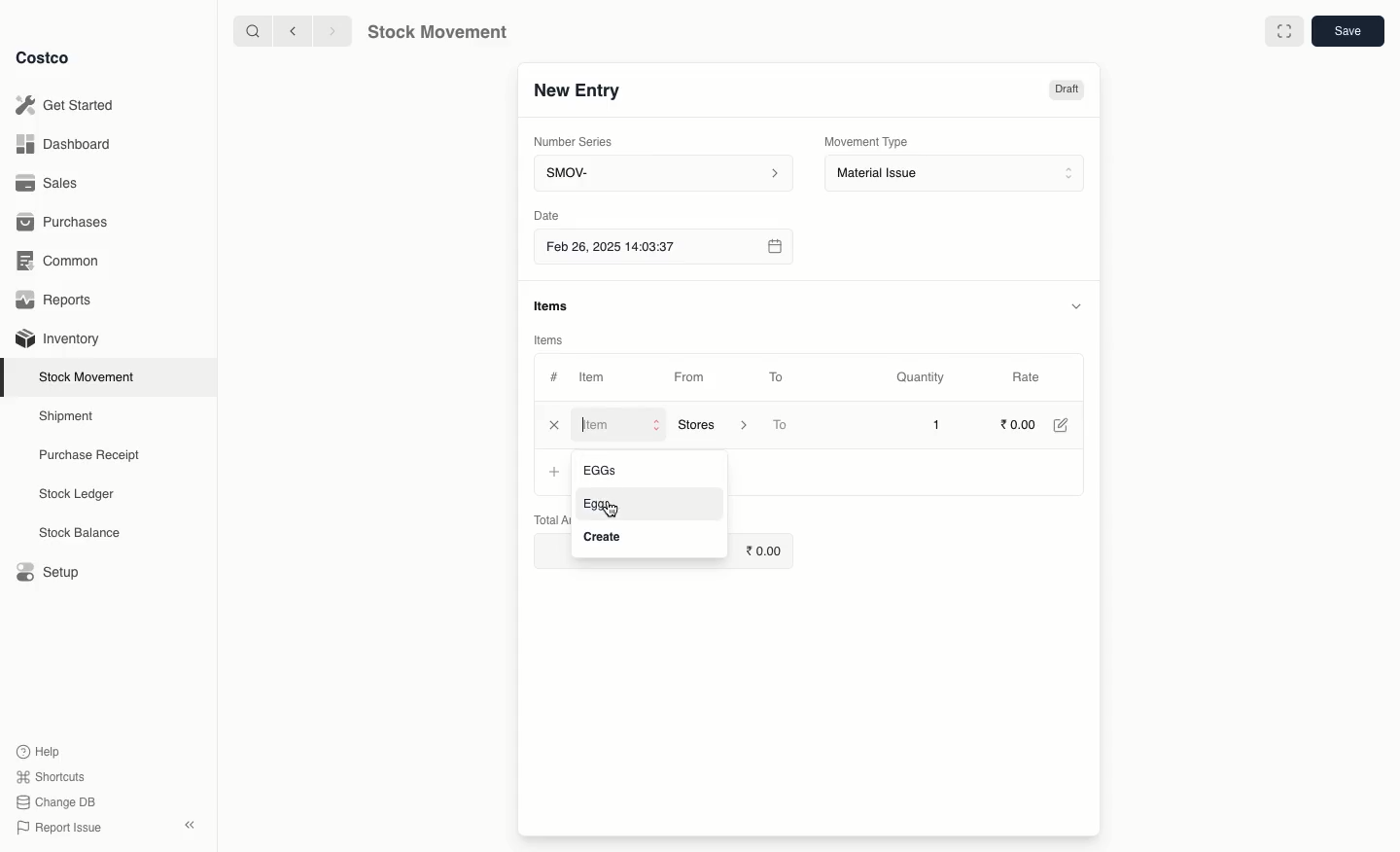 The width and height of the screenshot is (1400, 852). What do you see at coordinates (46, 570) in the screenshot?
I see `Setup` at bounding box center [46, 570].